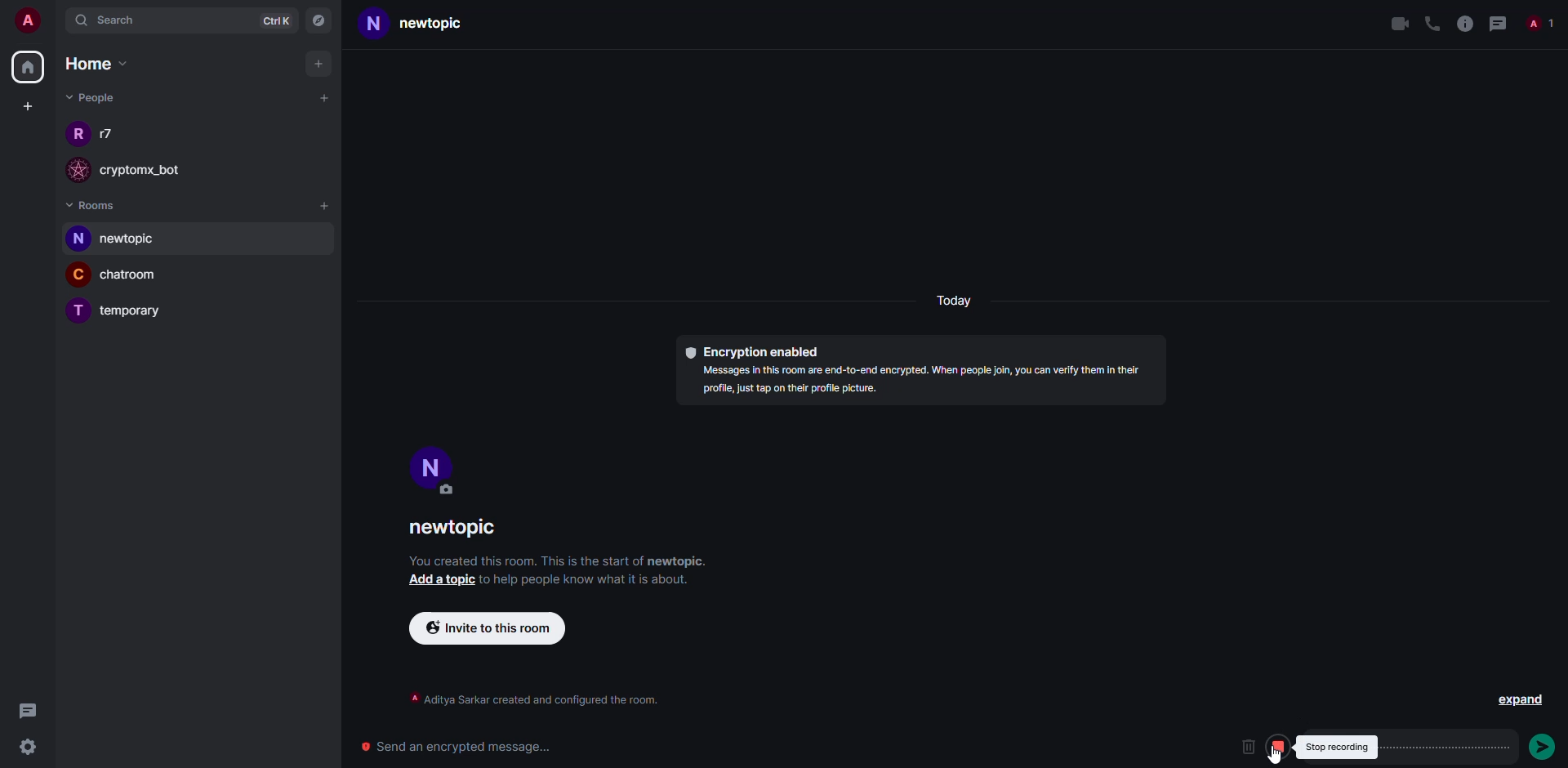 Image resolution: width=1568 pixels, height=768 pixels. Describe the element at coordinates (1278, 757) in the screenshot. I see `cursor` at that location.